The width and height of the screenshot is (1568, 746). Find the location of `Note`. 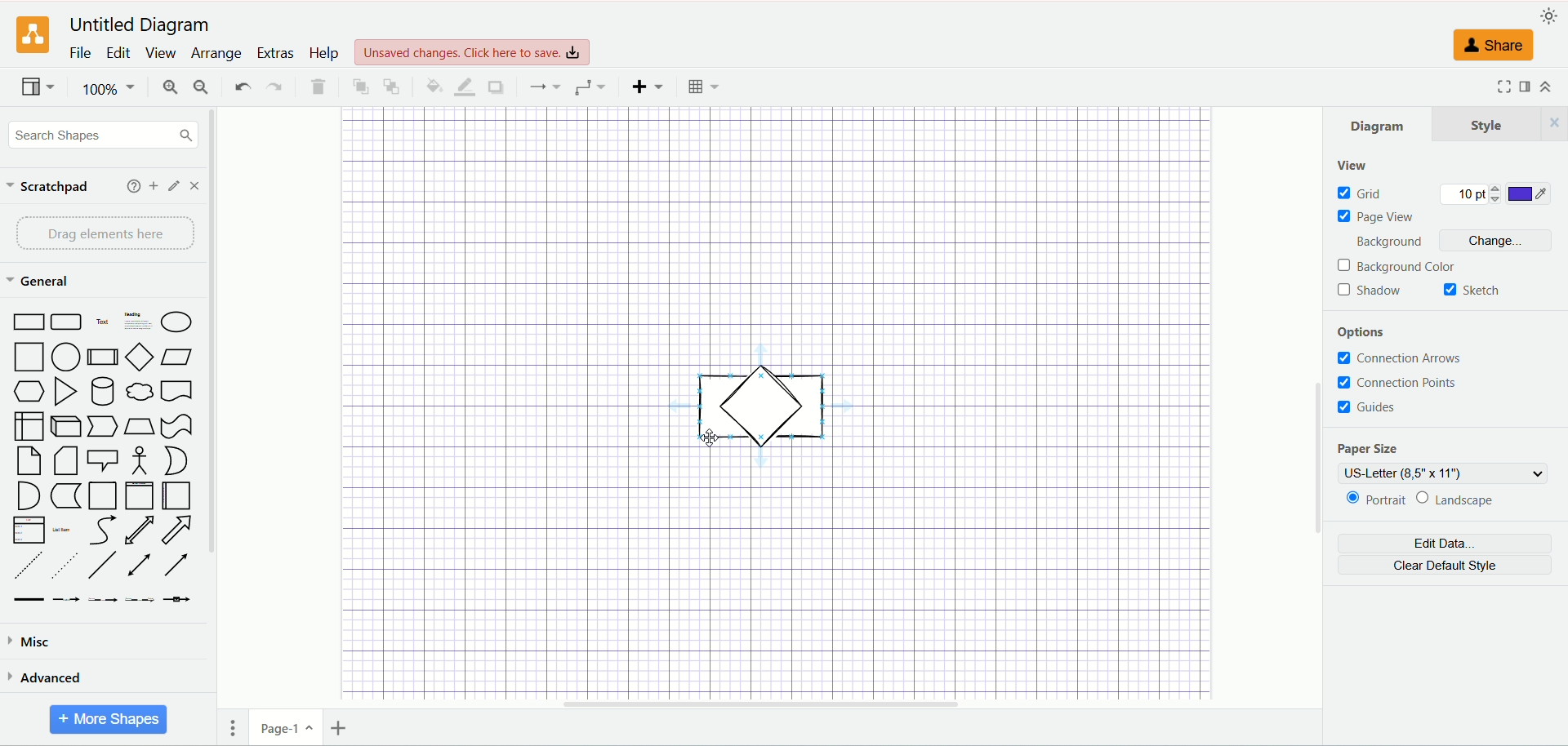

Note is located at coordinates (24, 461).